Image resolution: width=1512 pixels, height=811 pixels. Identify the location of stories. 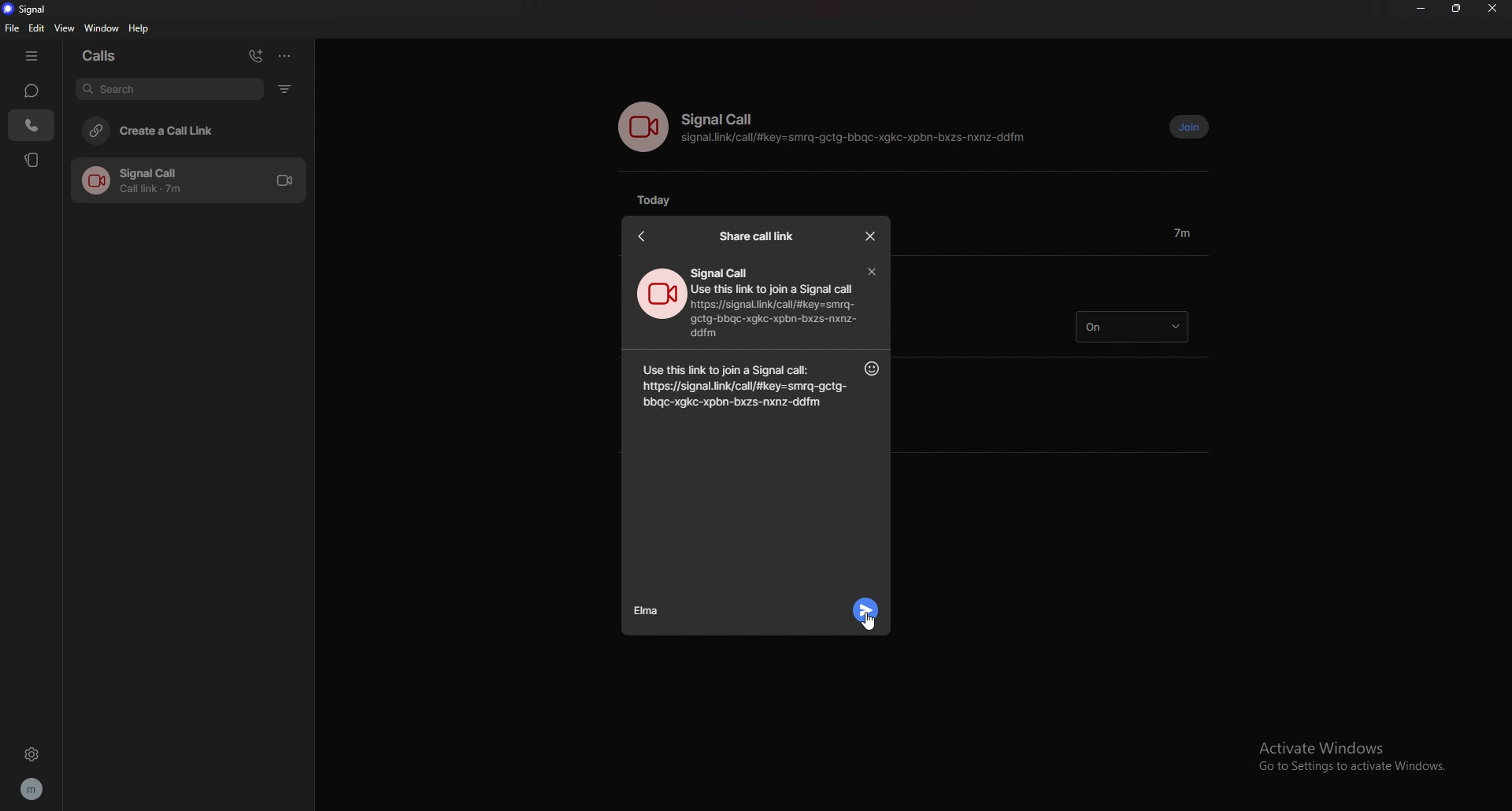
(34, 159).